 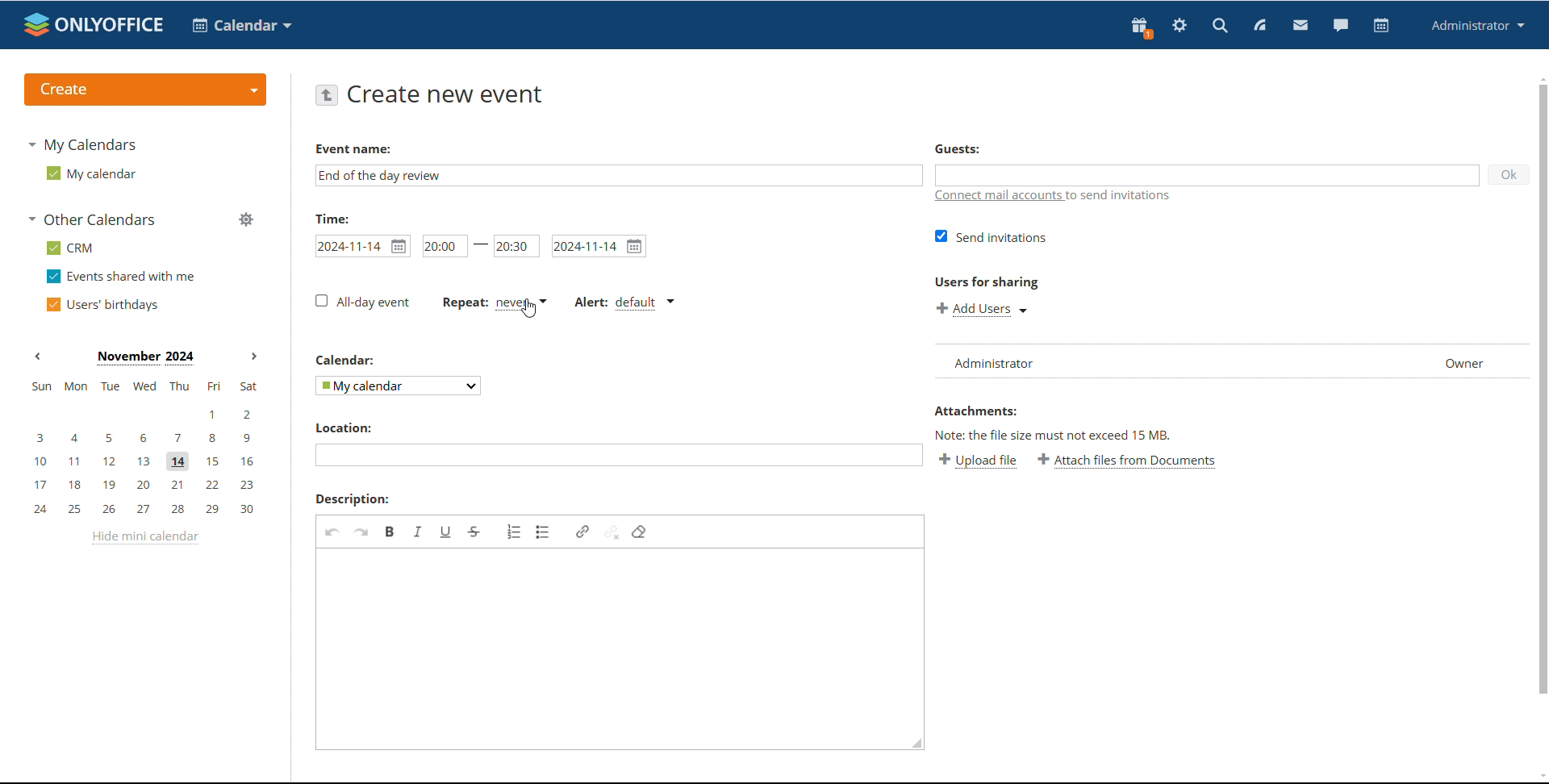 I want to click on hide mini calendar, so click(x=144, y=537).